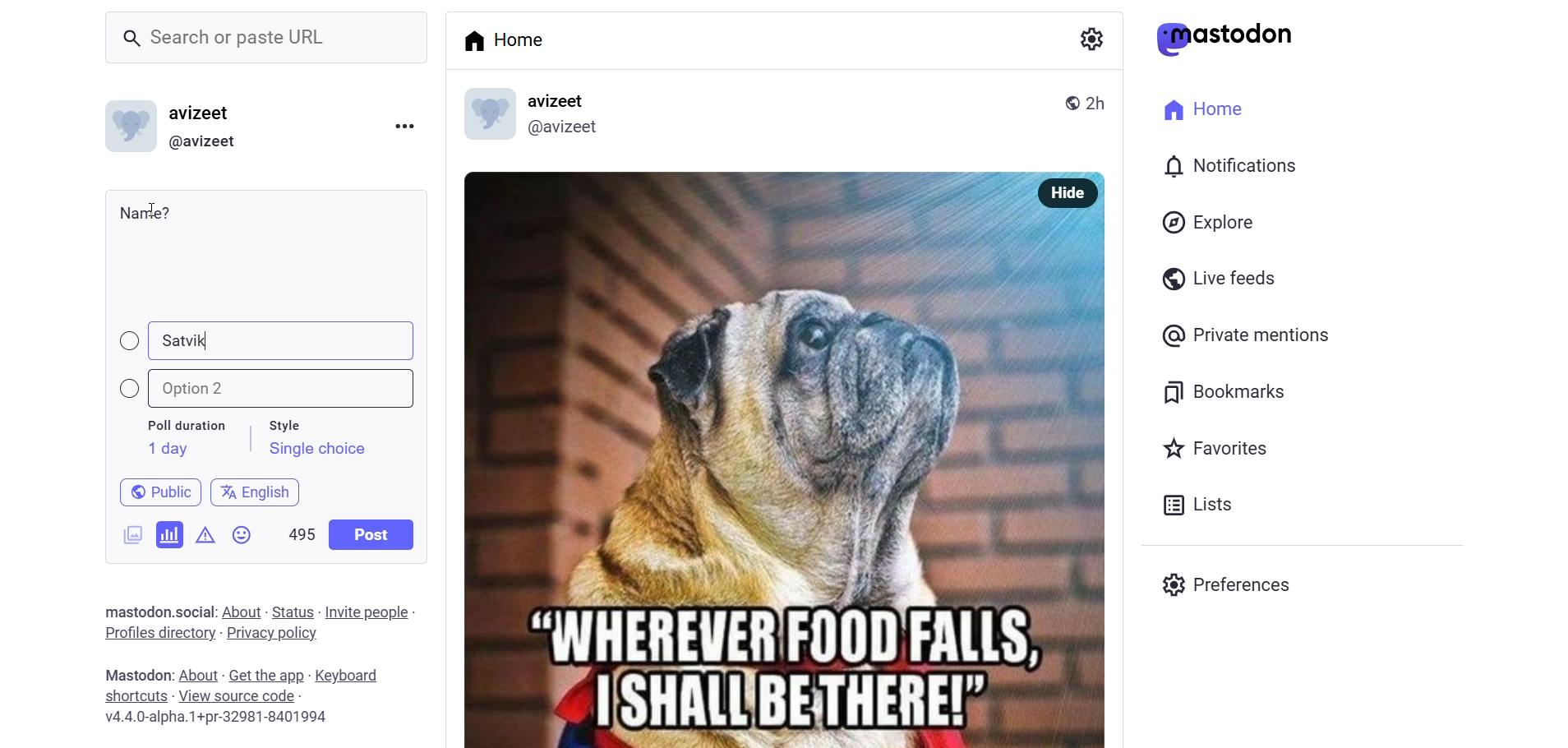 The image size is (1568, 748). I want to click on style, so click(293, 422).